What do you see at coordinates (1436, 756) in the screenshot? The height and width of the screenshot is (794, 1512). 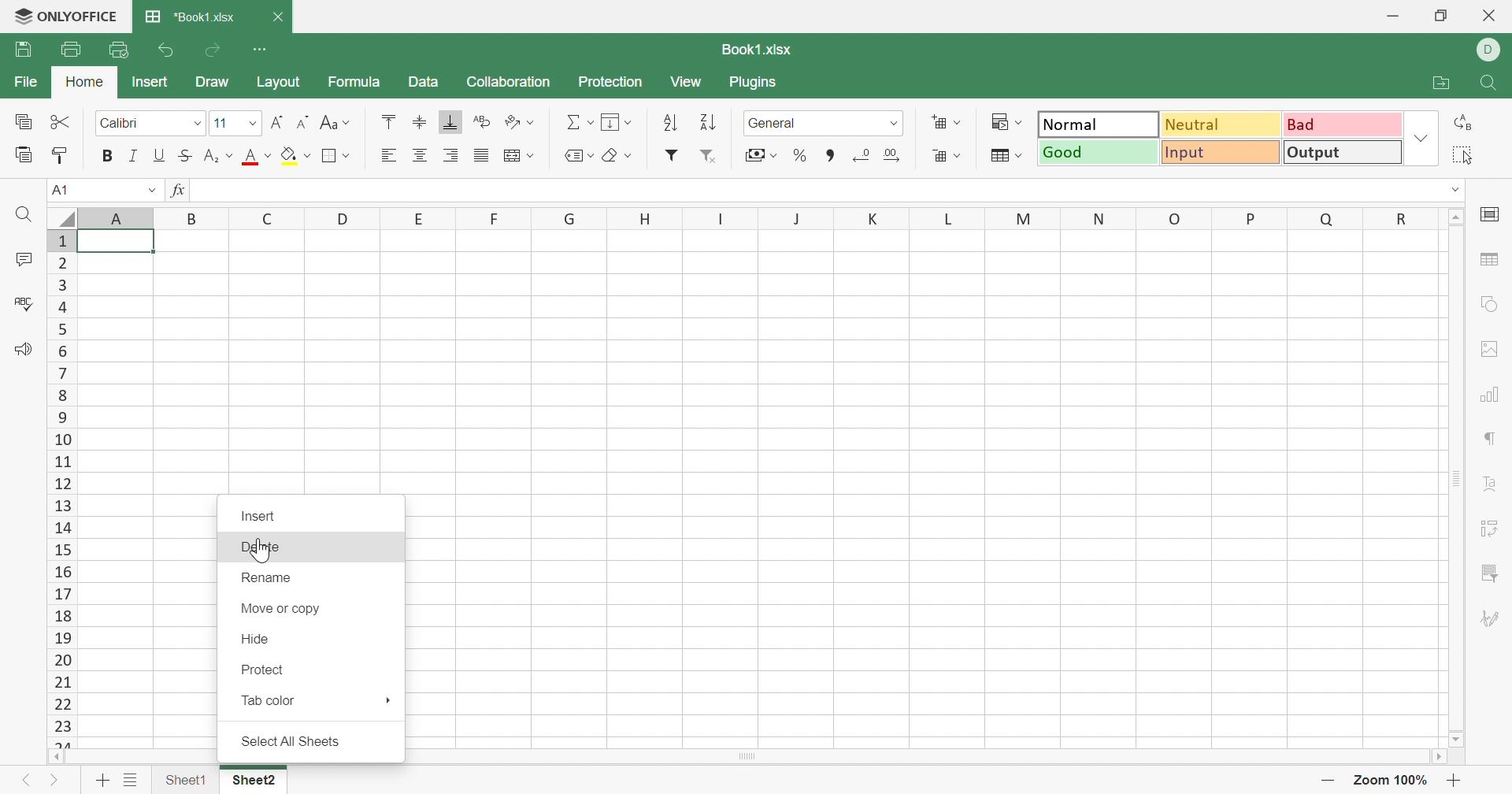 I see `Scroll Right` at bounding box center [1436, 756].